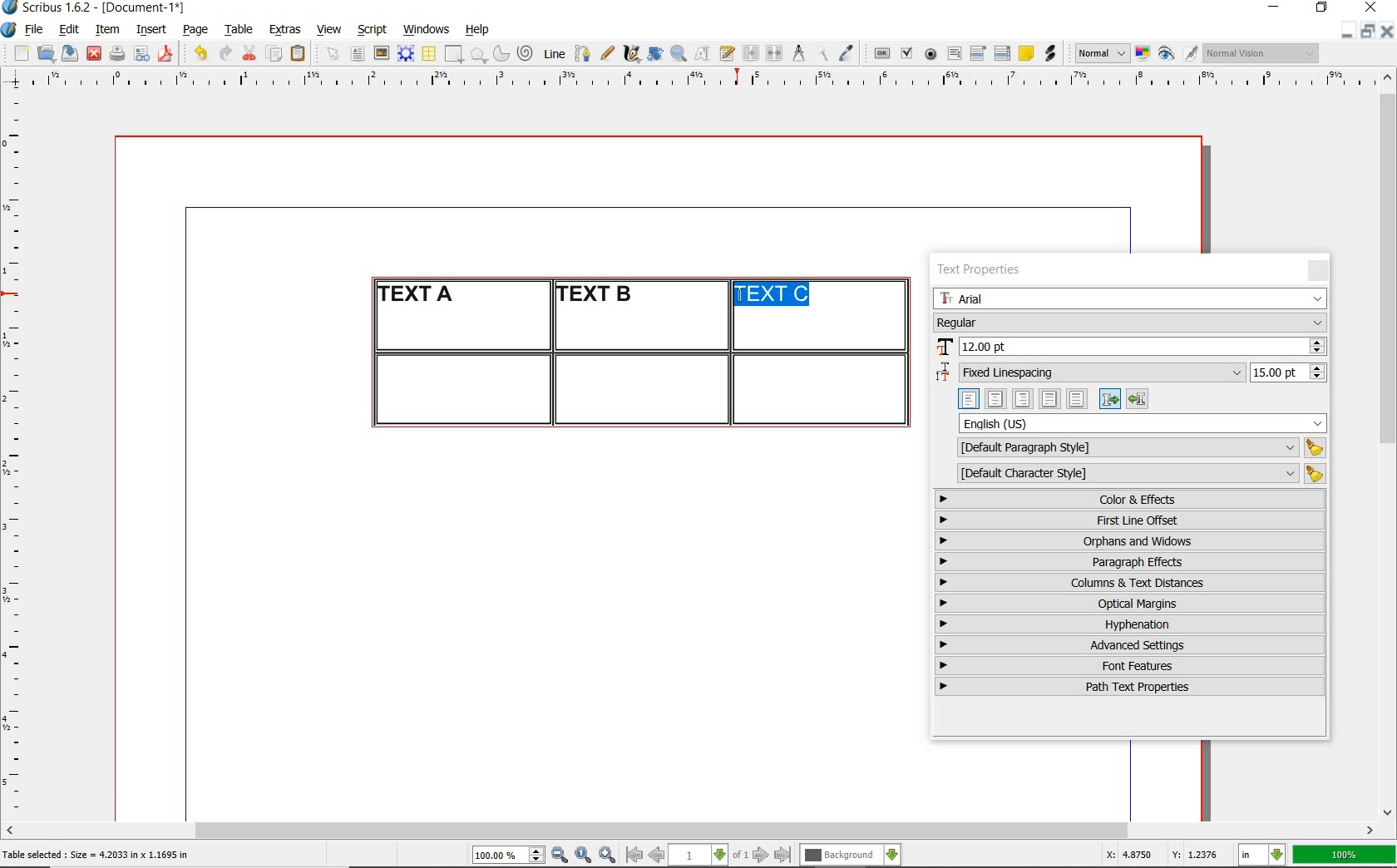 This screenshot has height=868, width=1397. I want to click on file, so click(36, 30).